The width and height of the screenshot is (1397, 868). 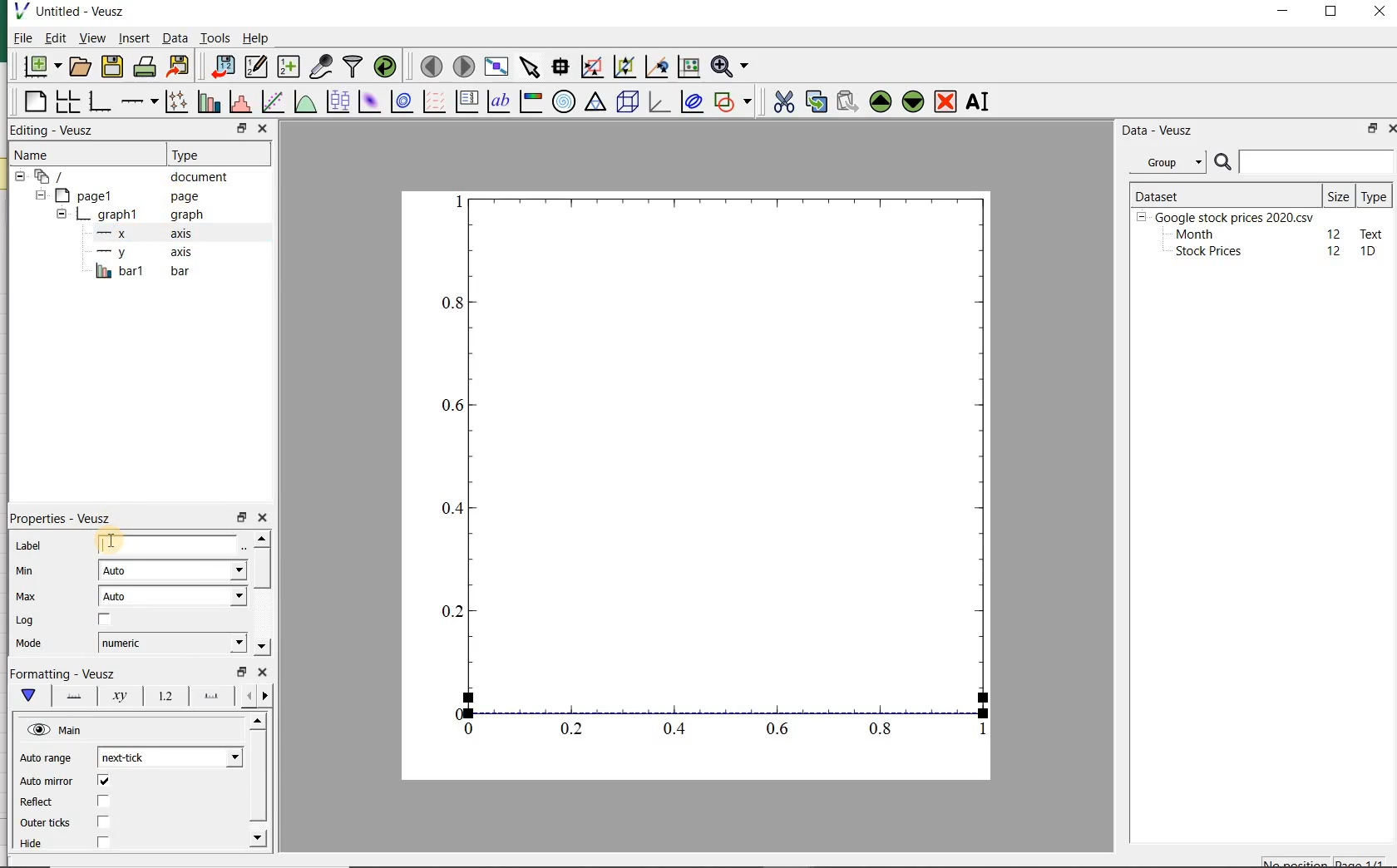 I want to click on Type, so click(x=1374, y=195).